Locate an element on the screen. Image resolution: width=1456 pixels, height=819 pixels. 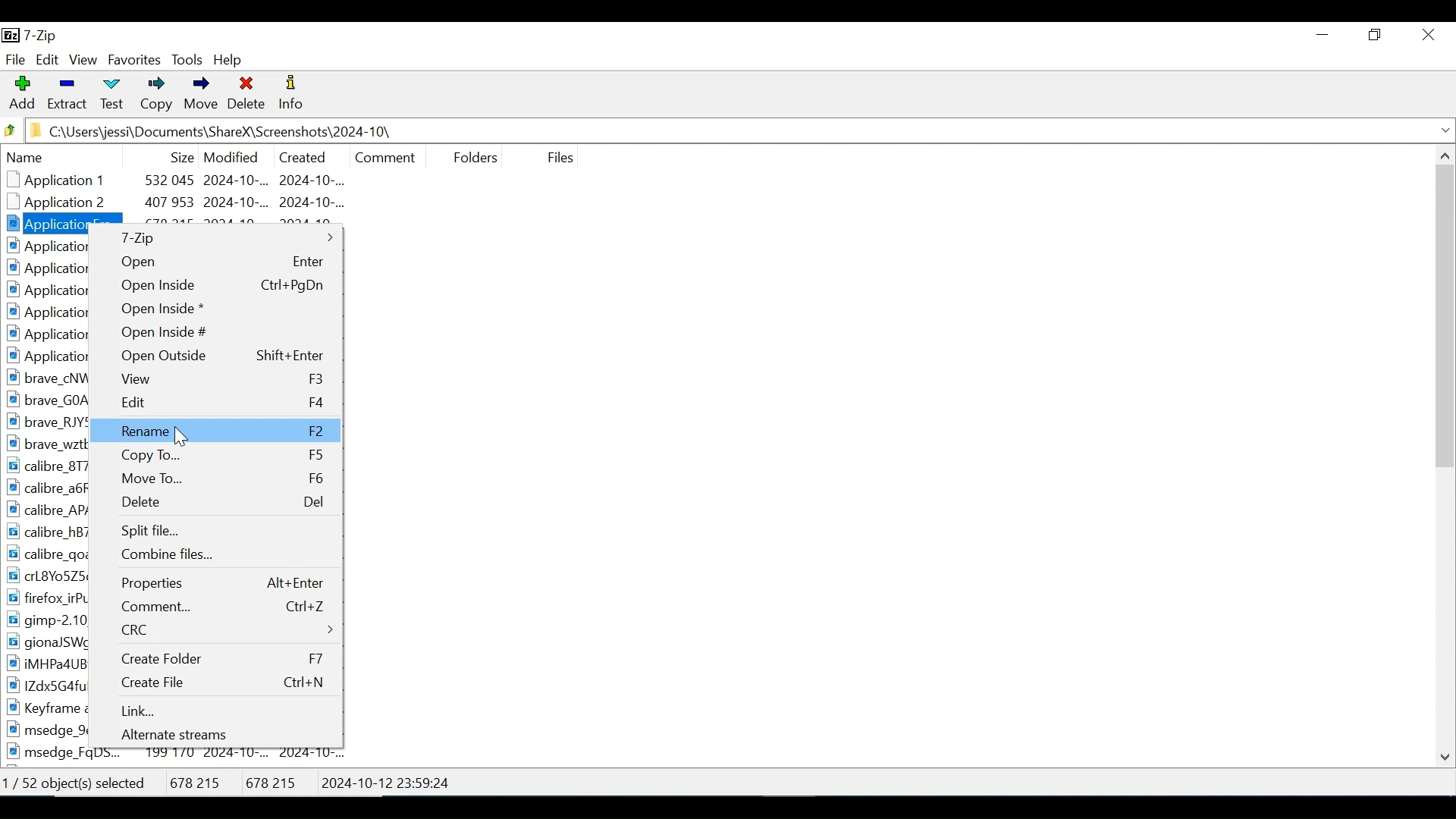
File is located at coordinates (558, 157).